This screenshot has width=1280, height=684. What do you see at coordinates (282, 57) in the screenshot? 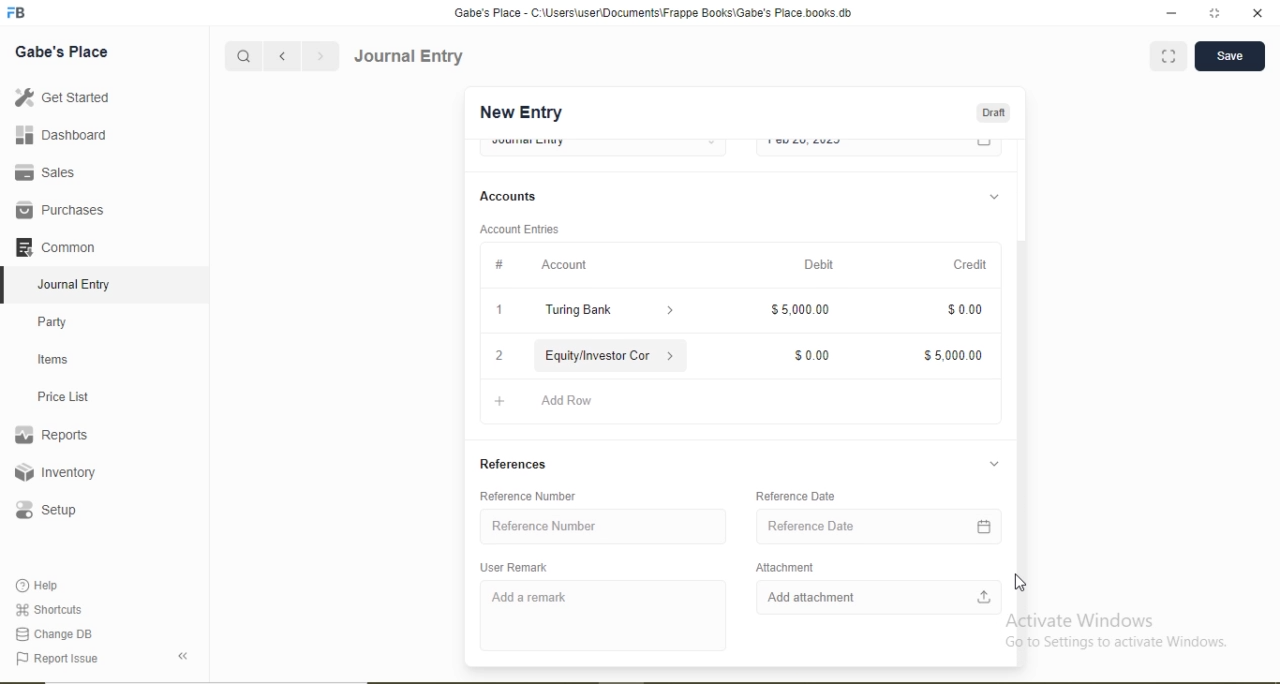
I see `Backward` at bounding box center [282, 57].